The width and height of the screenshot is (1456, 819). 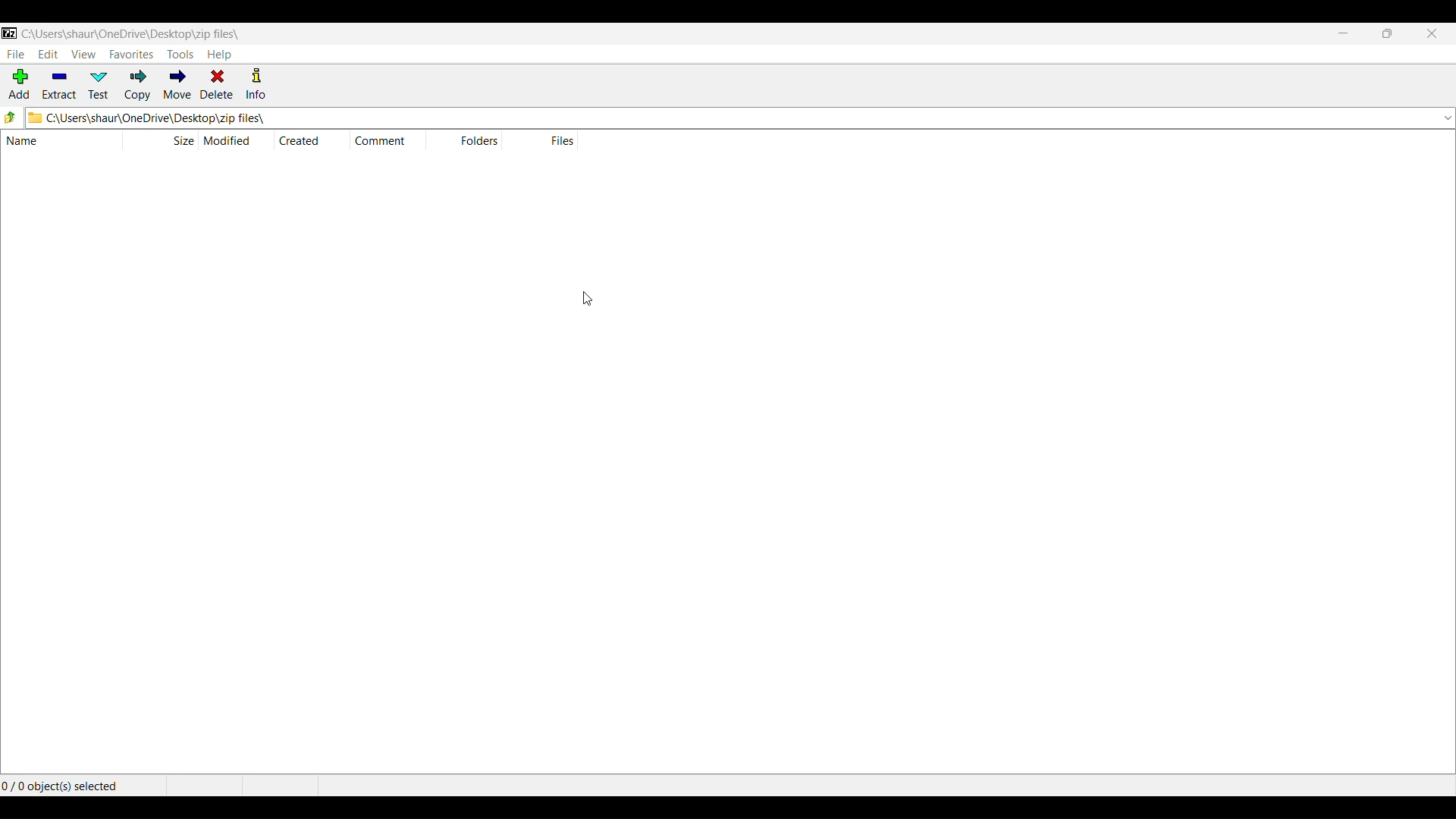 I want to click on CURRENT FILE/FOLDER PATH, so click(x=130, y=32).